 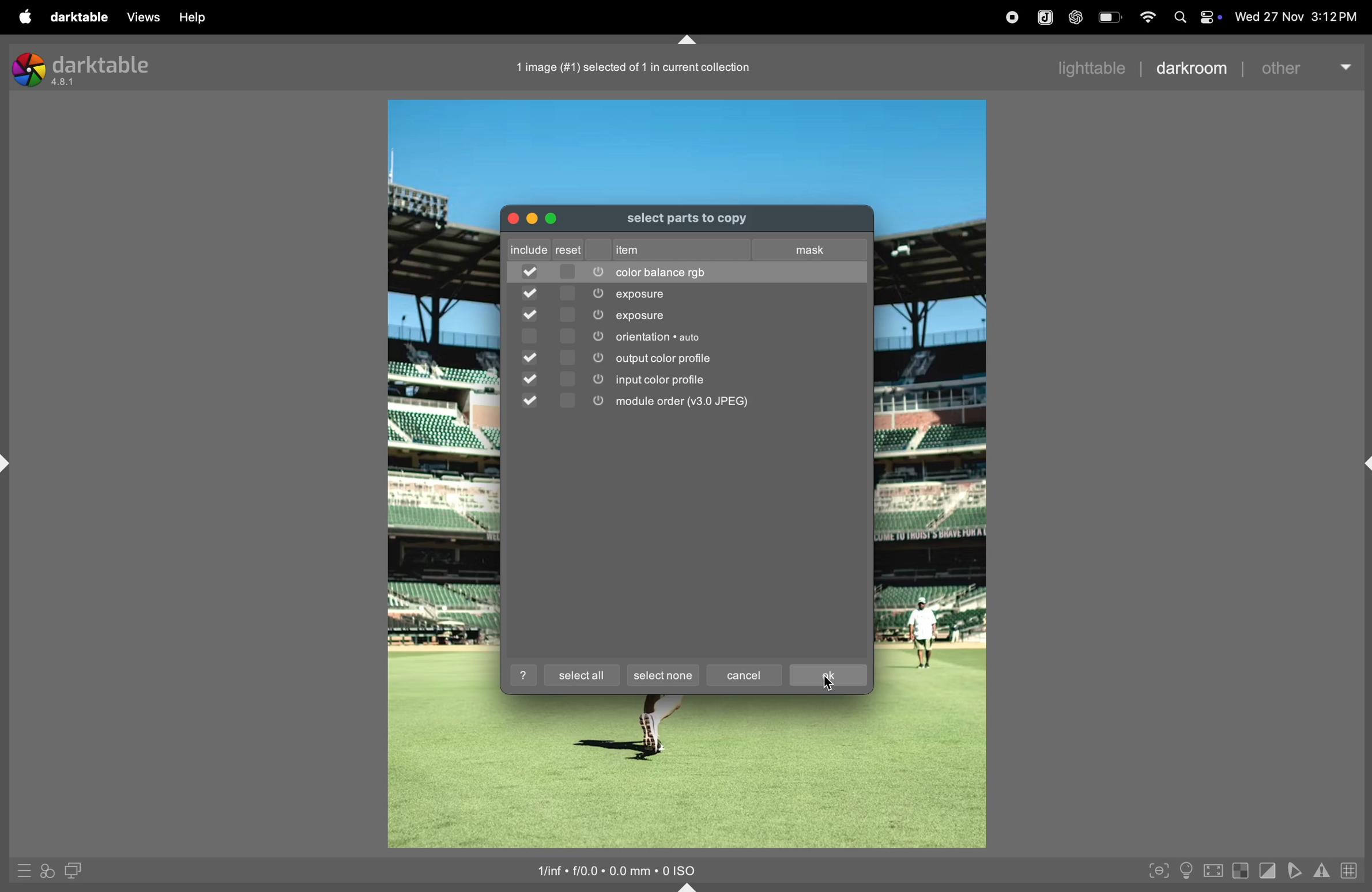 I want to click on module order, so click(x=710, y=403).